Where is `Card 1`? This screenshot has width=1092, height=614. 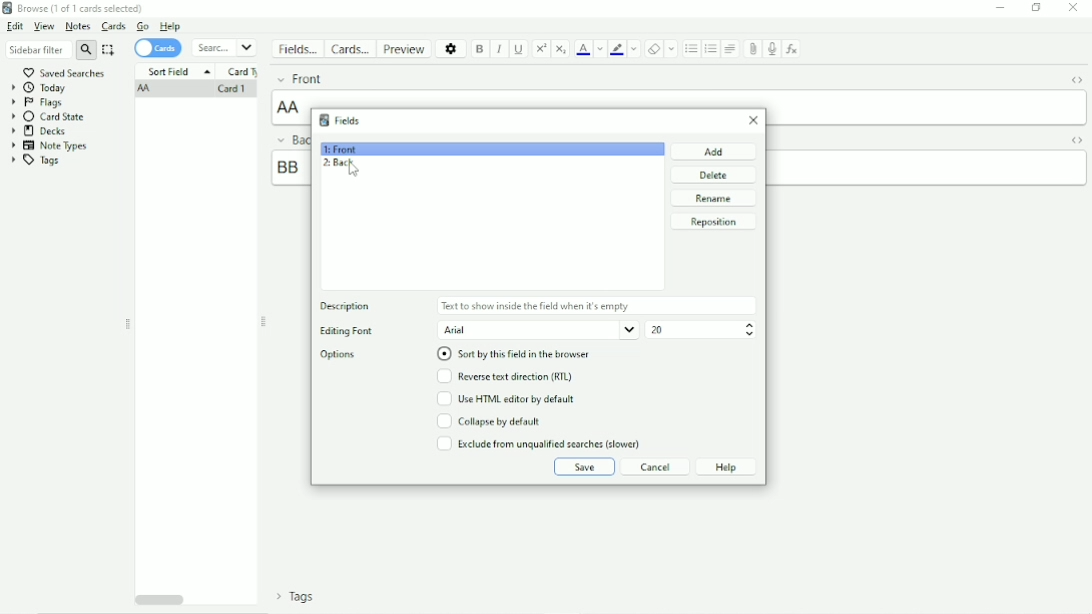 Card 1 is located at coordinates (230, 90).